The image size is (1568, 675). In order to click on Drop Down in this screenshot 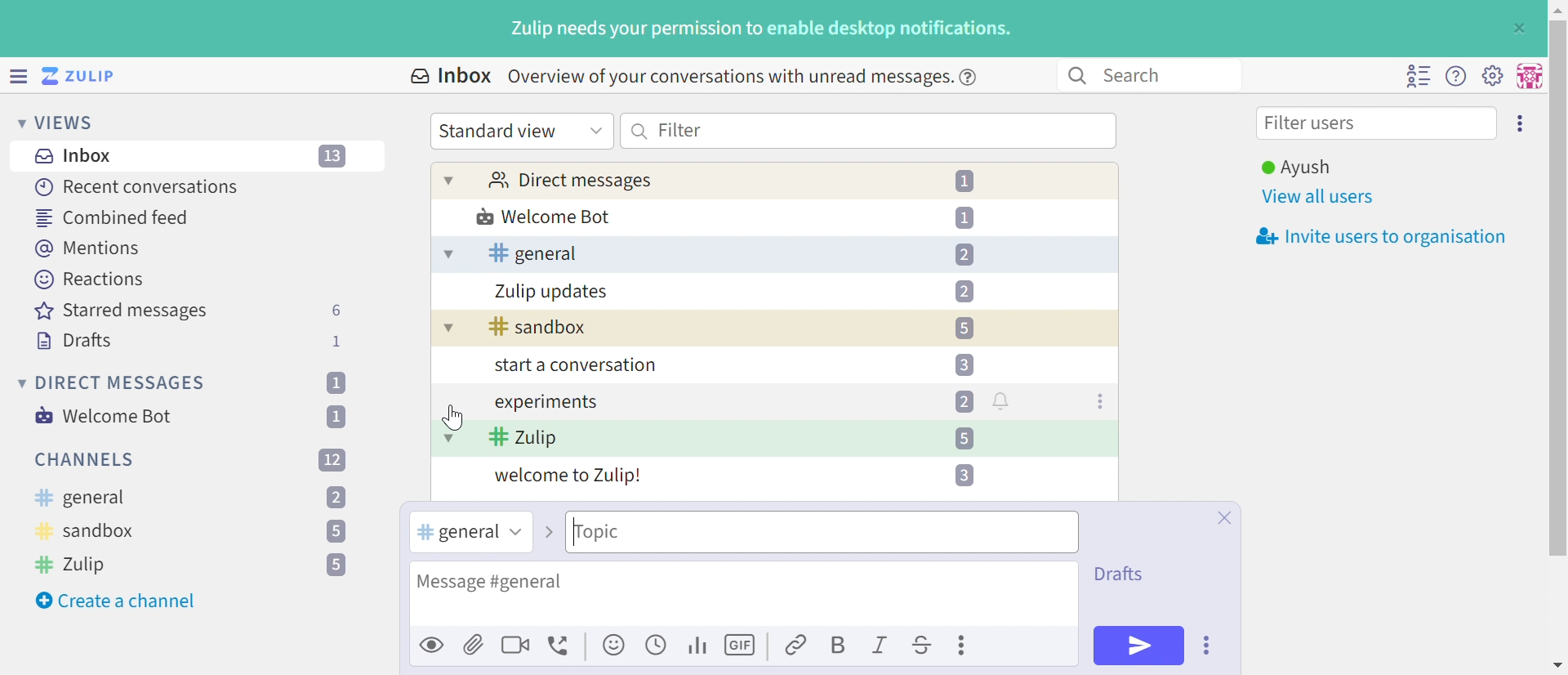, I will do `click(596, 129)`.